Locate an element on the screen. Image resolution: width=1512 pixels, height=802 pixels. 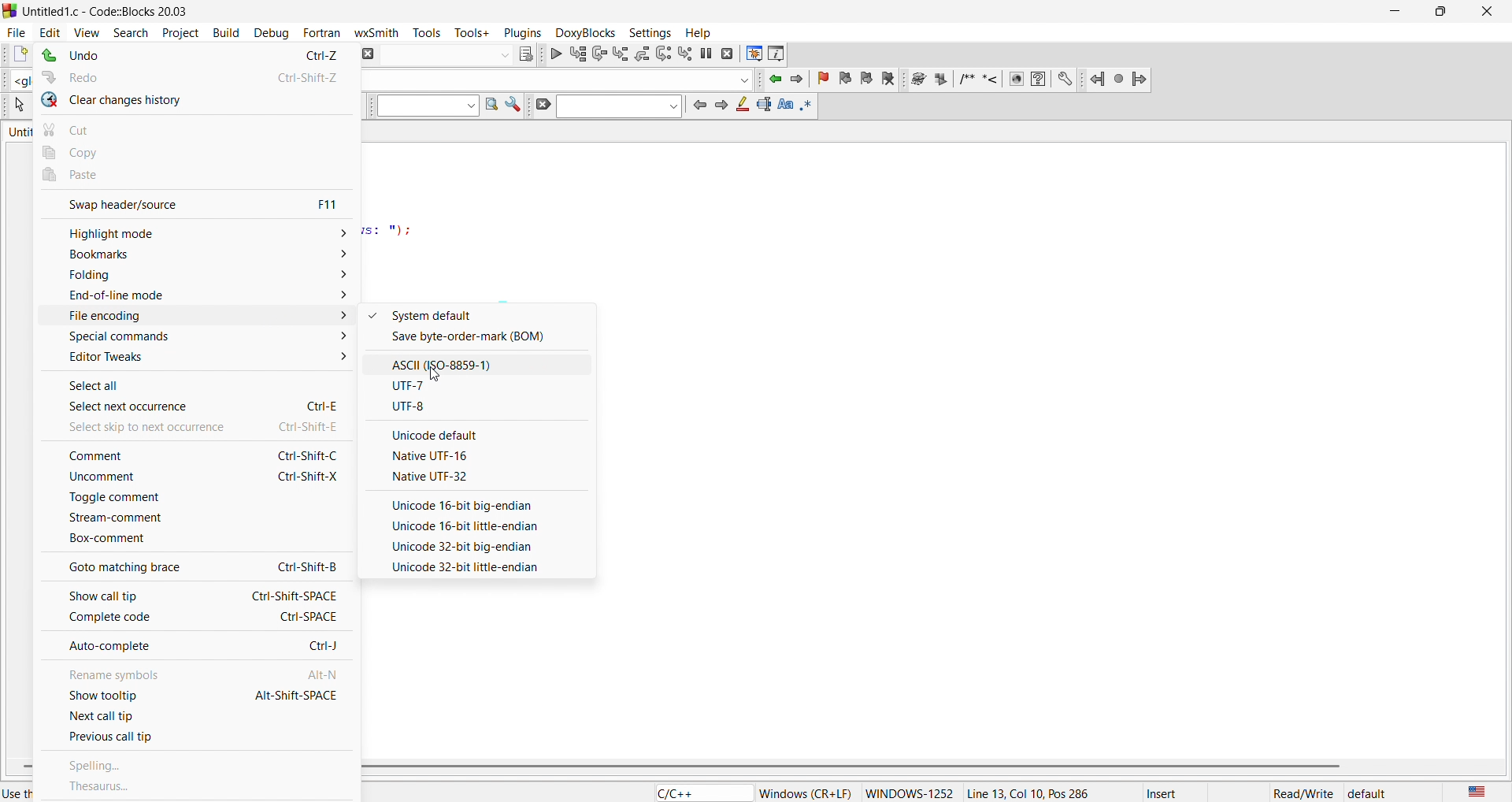
editor tweaks is located at coordinates (194, 361).